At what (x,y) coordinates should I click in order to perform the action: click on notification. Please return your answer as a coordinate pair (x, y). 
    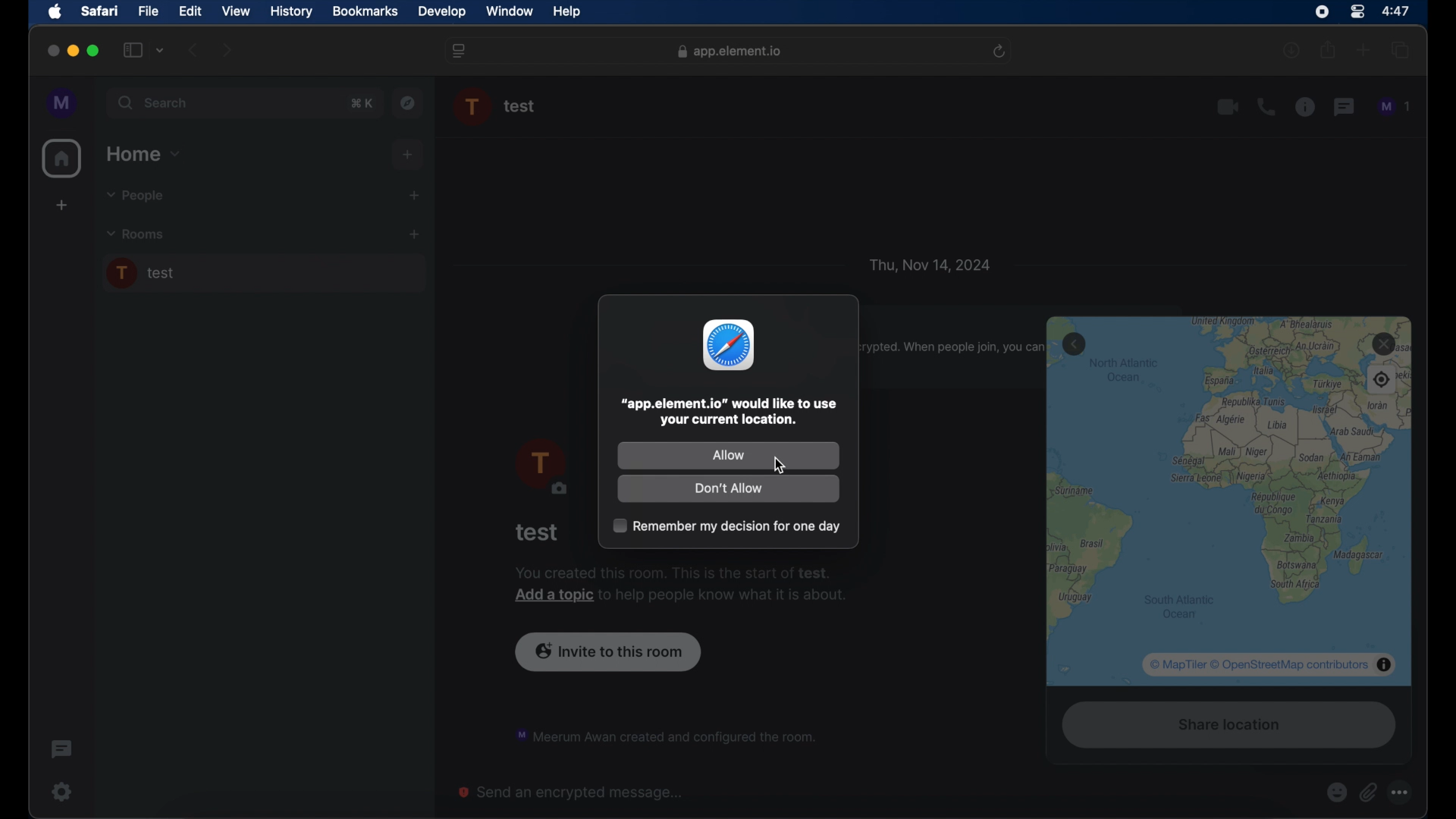
    Looking at the image, I should click on (664, 734).